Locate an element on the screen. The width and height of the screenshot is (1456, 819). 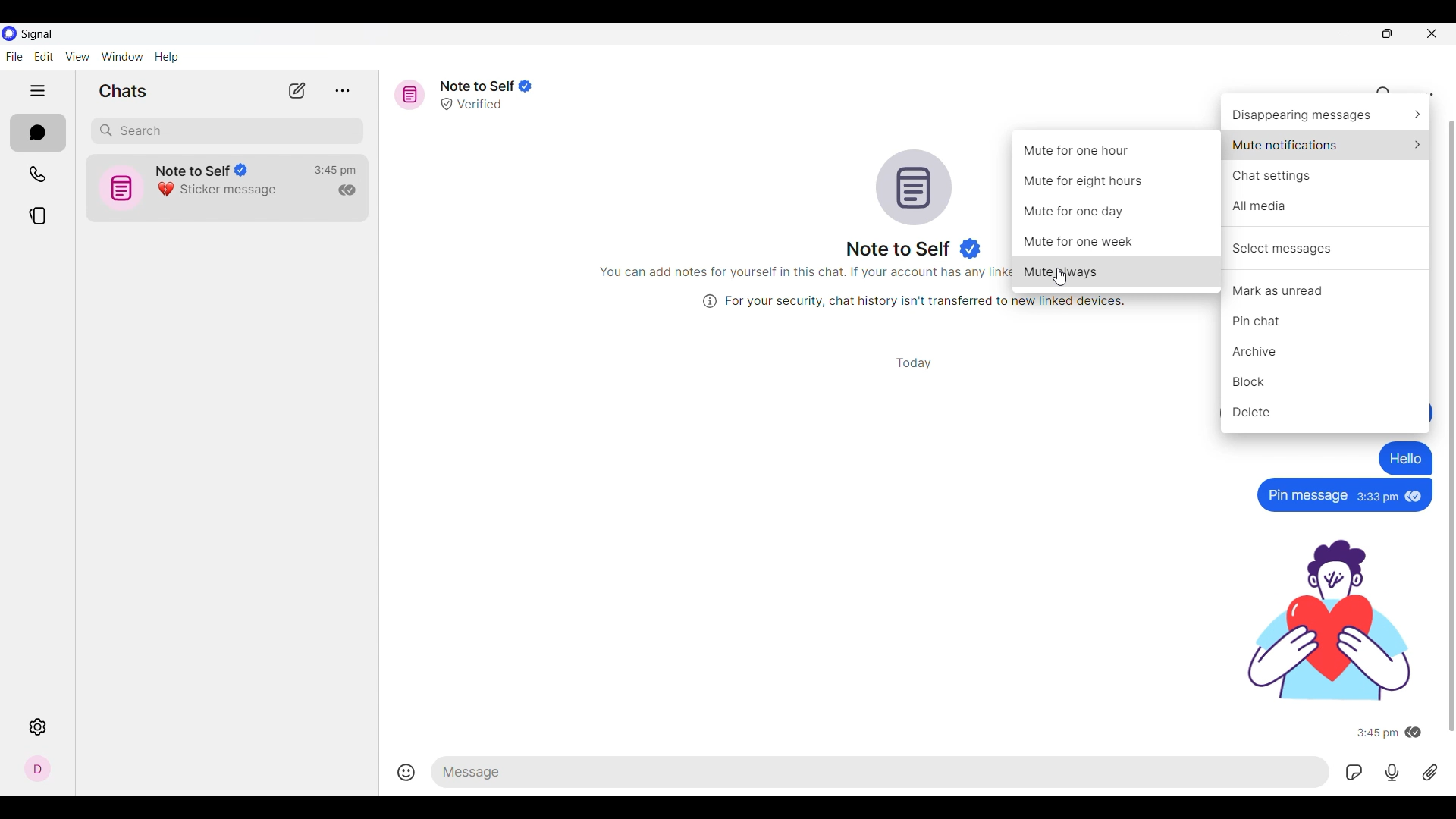
View archive is located at coordinates (342, 91).